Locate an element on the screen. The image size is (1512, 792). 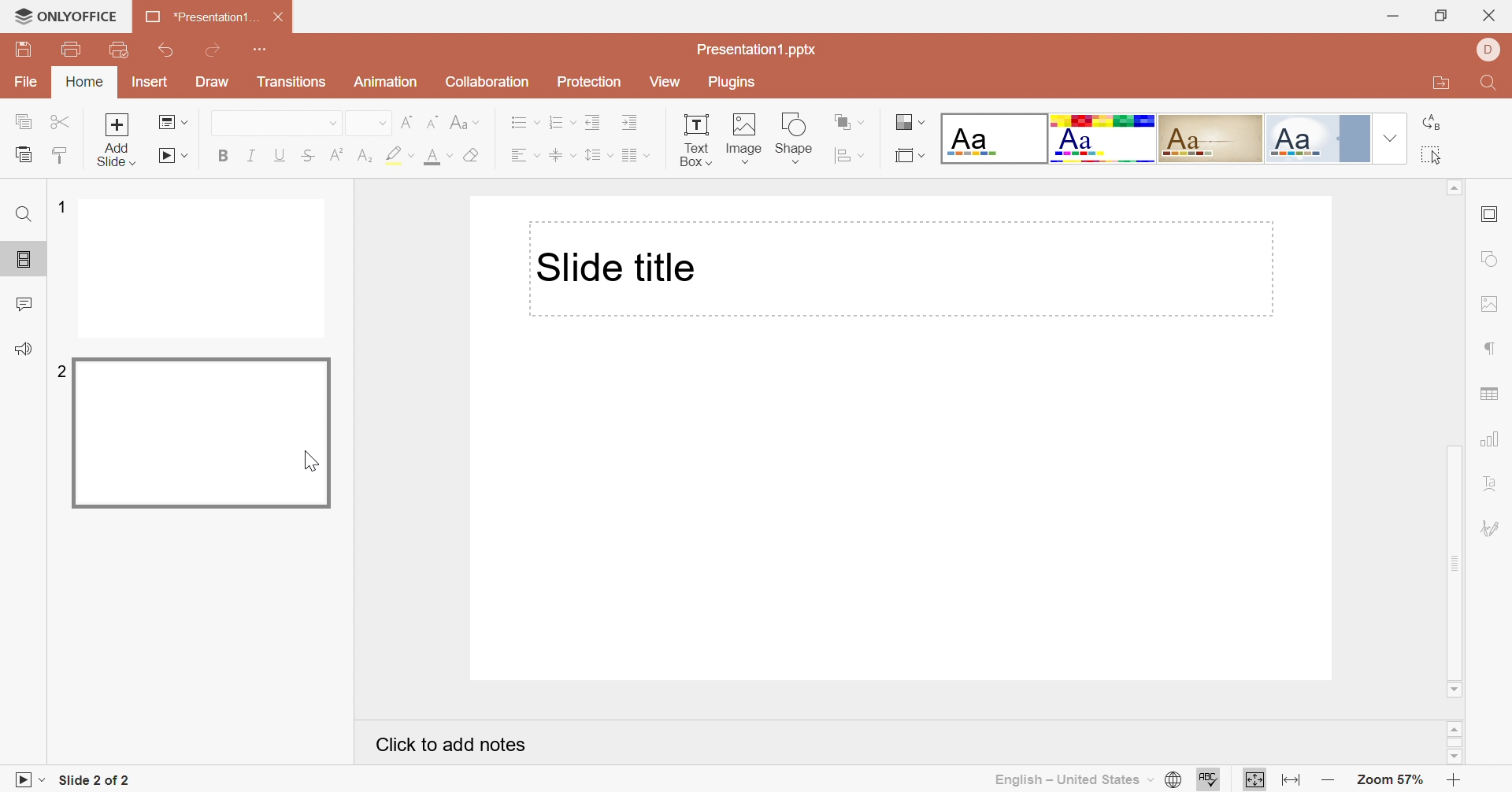
Change case is located at coordinates (461, 120).